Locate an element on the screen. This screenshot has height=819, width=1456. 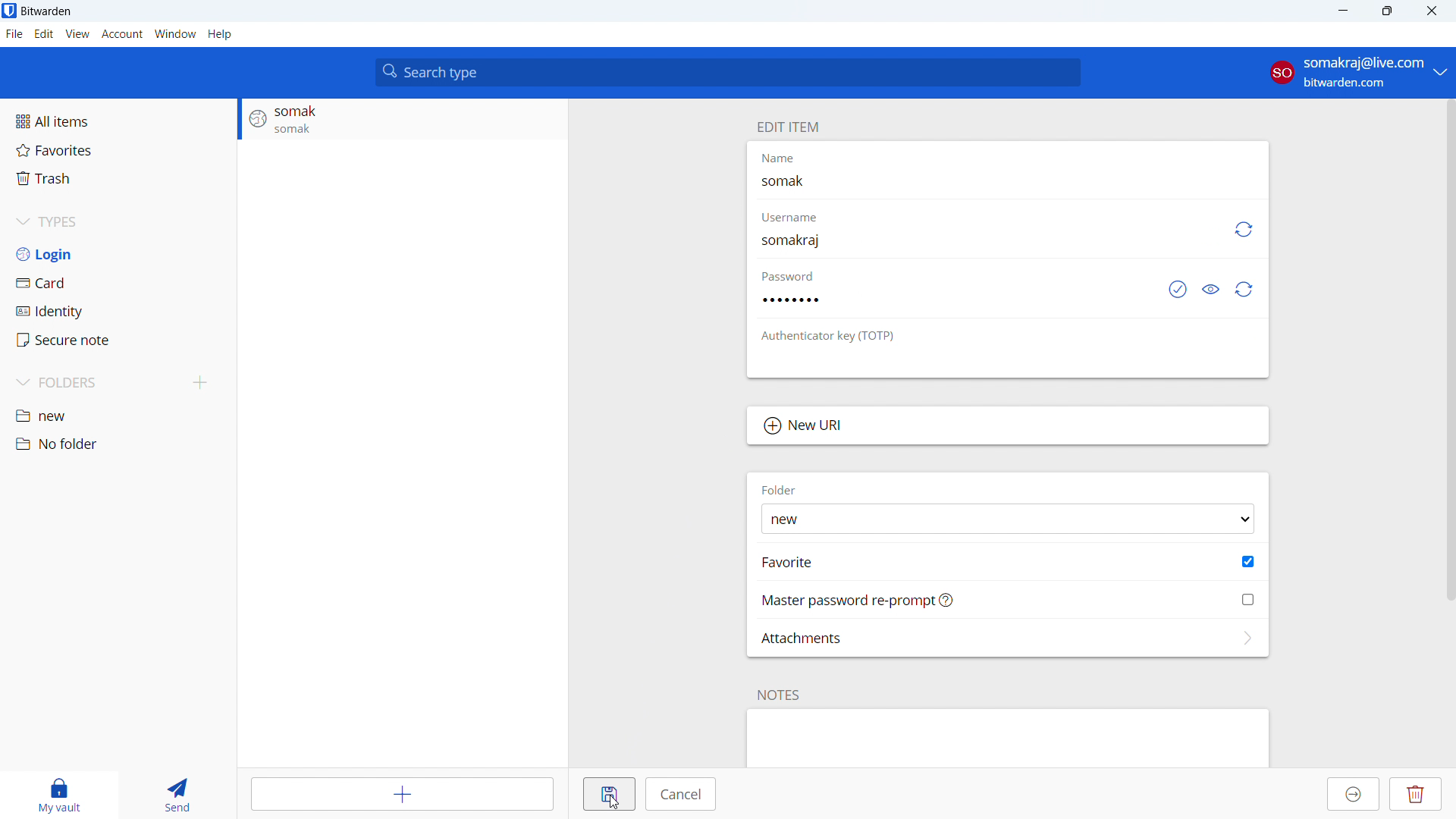
toggle visibility is located at coordinates (1213, 288).